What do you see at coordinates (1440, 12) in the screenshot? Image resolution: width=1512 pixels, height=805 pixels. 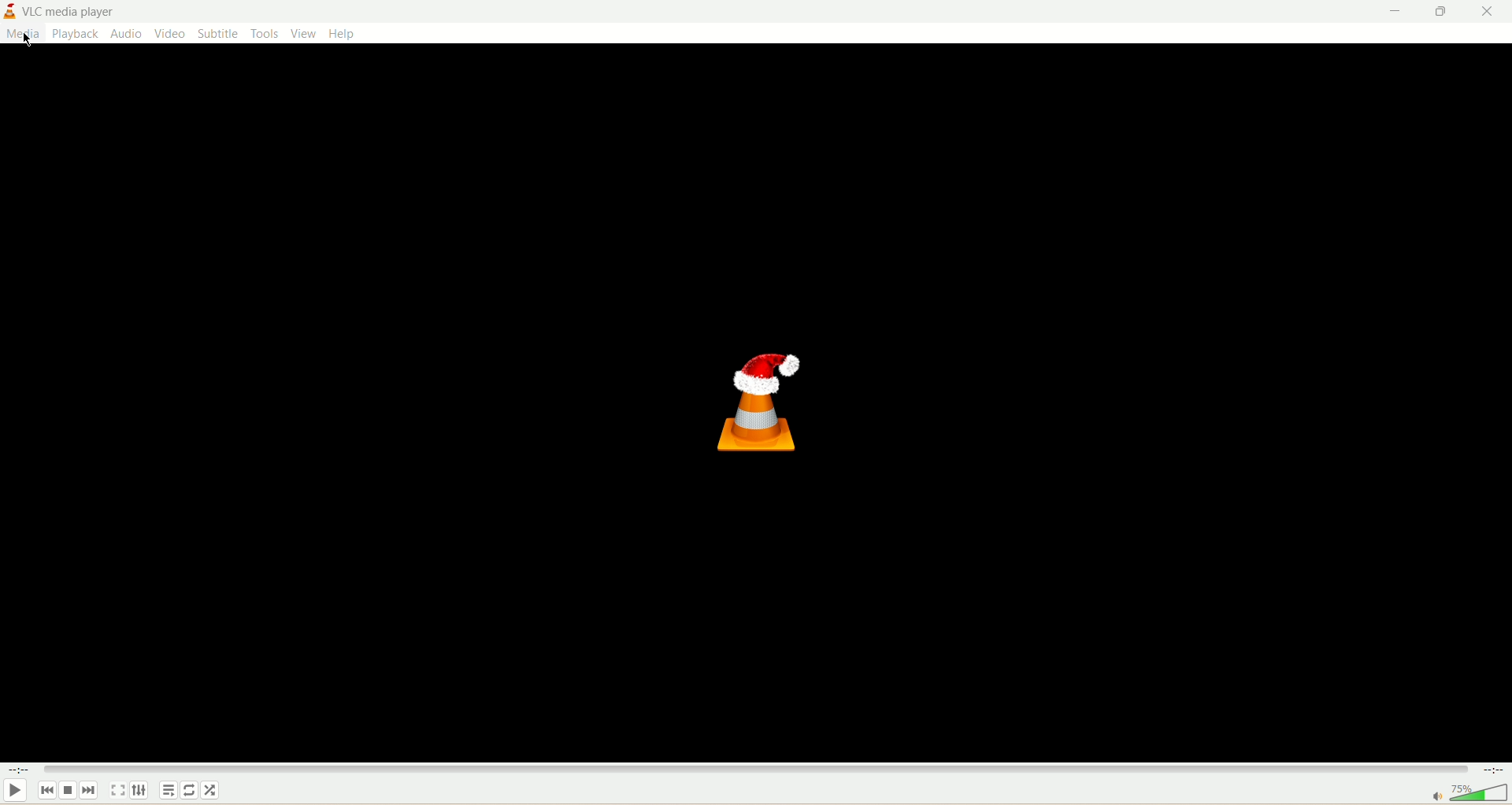 I see `maximize` at bounding box center [1440, 12].